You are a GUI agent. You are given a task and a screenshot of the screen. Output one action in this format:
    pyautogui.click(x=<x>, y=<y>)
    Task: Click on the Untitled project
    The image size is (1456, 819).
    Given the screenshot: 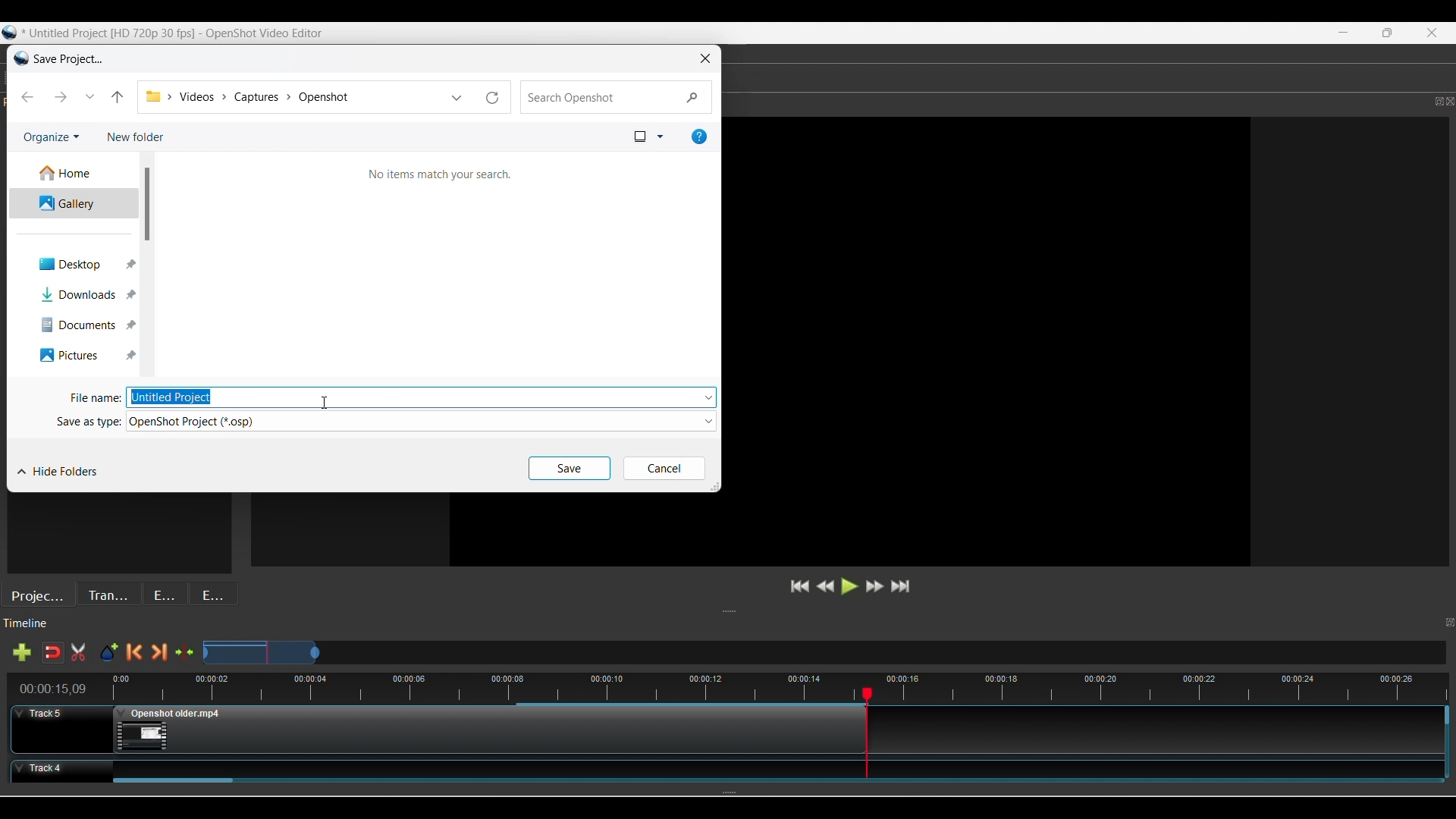 What is the action you would take?
    pyautogui.click(x=180, y=32)
    